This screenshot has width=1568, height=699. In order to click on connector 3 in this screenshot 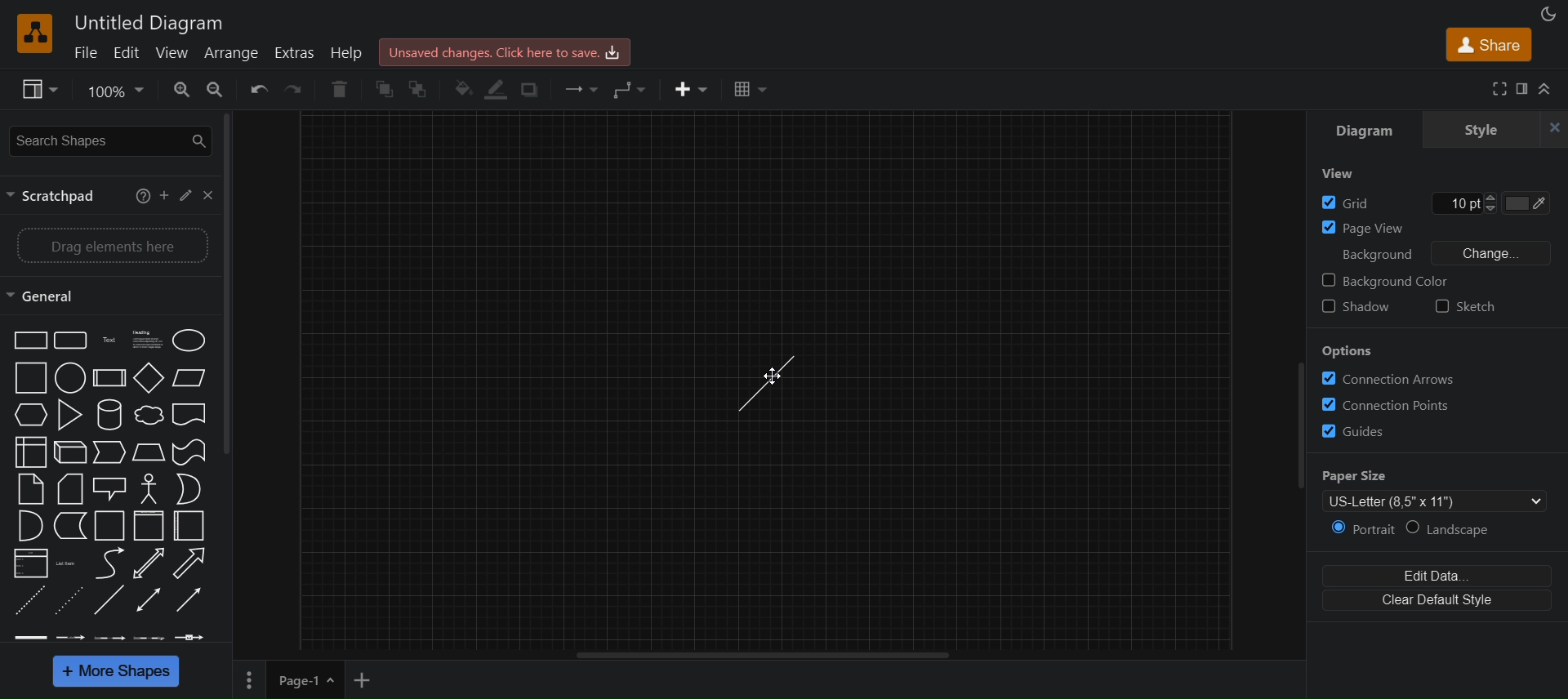, I will do `click(110, 637)`.